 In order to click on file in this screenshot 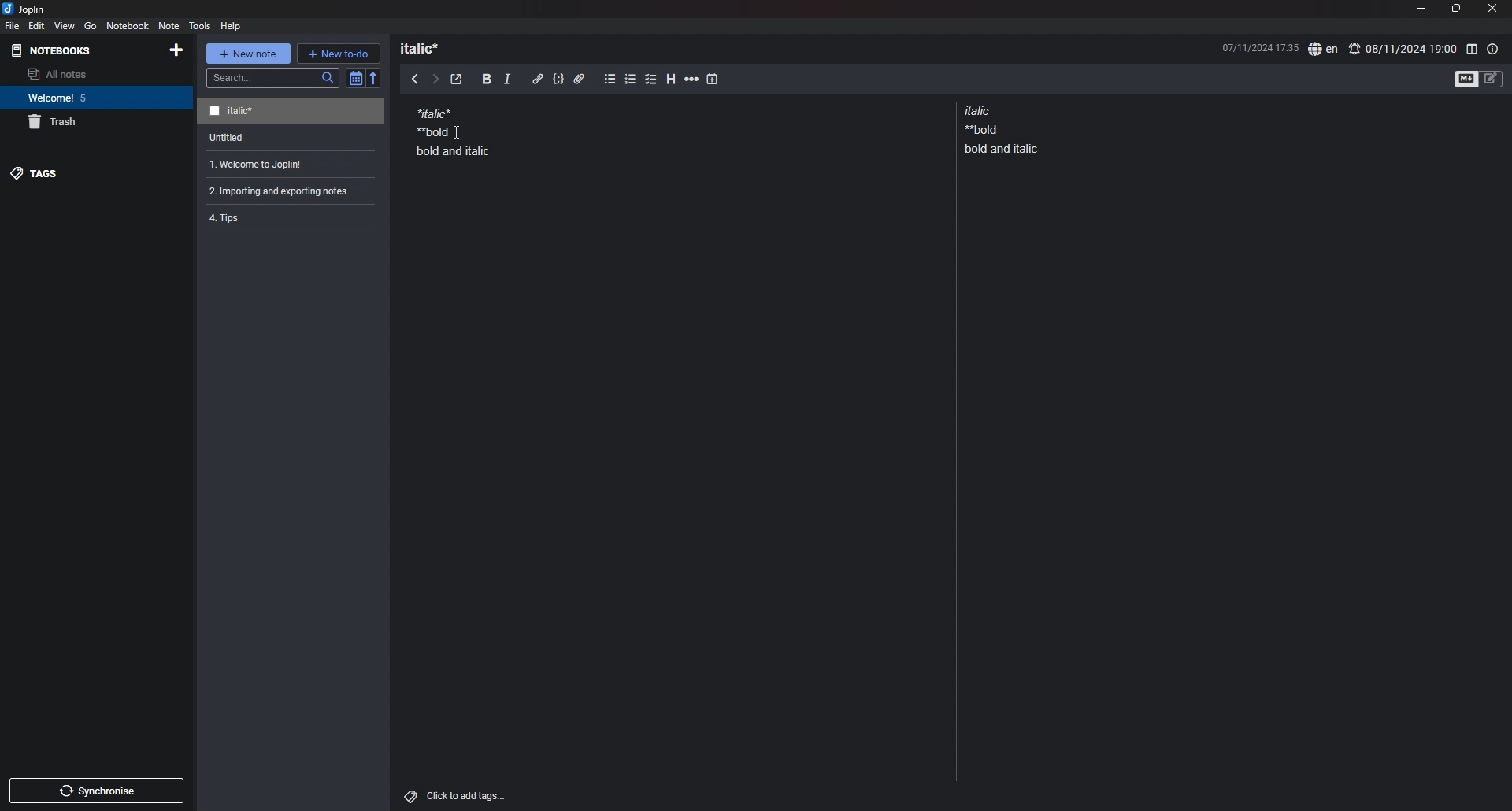, I will do `click(13, 25)`.